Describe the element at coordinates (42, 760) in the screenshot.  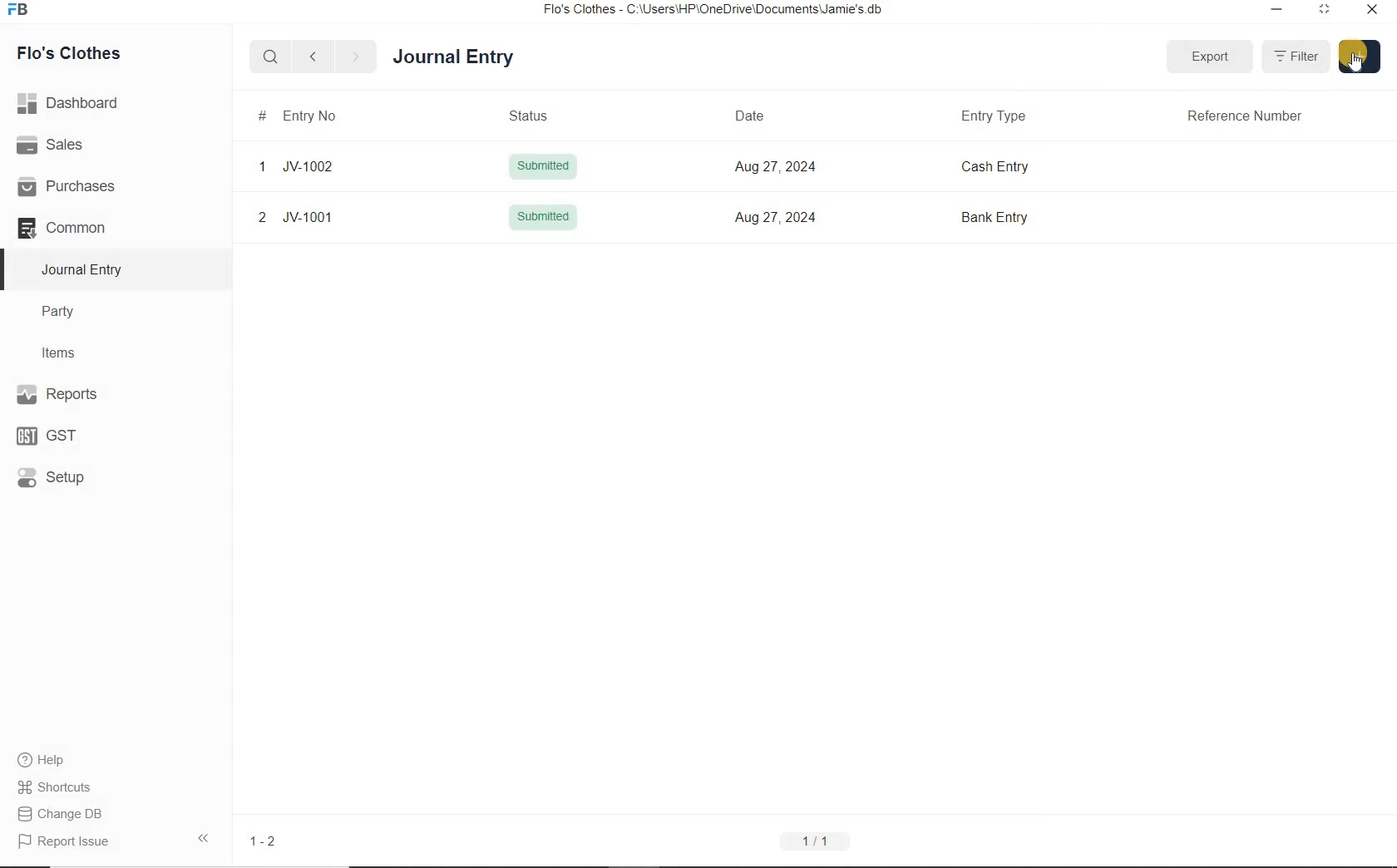
I see `help` at that location.